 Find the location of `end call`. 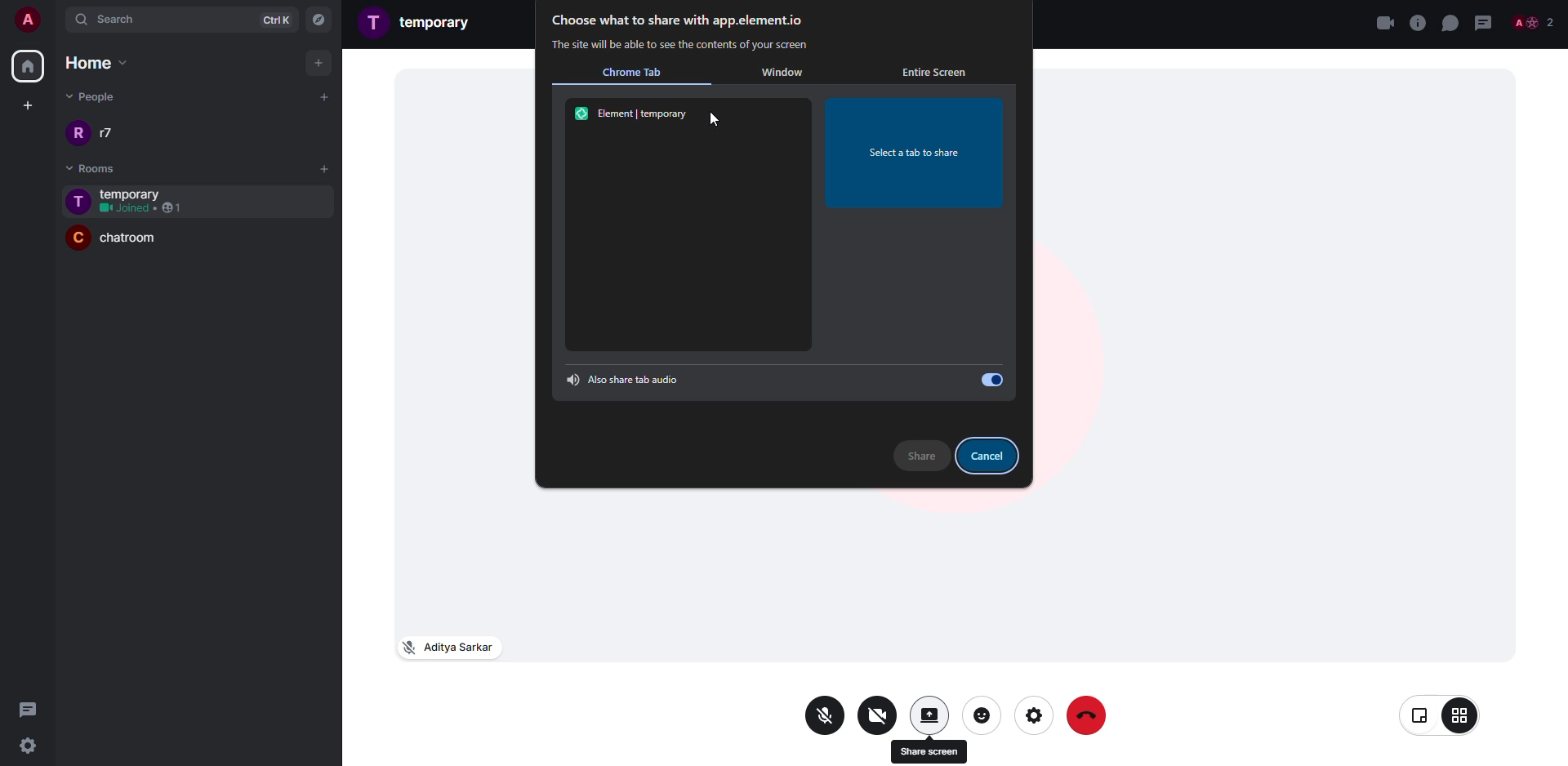

end call is located at coordinates (1090, 716).